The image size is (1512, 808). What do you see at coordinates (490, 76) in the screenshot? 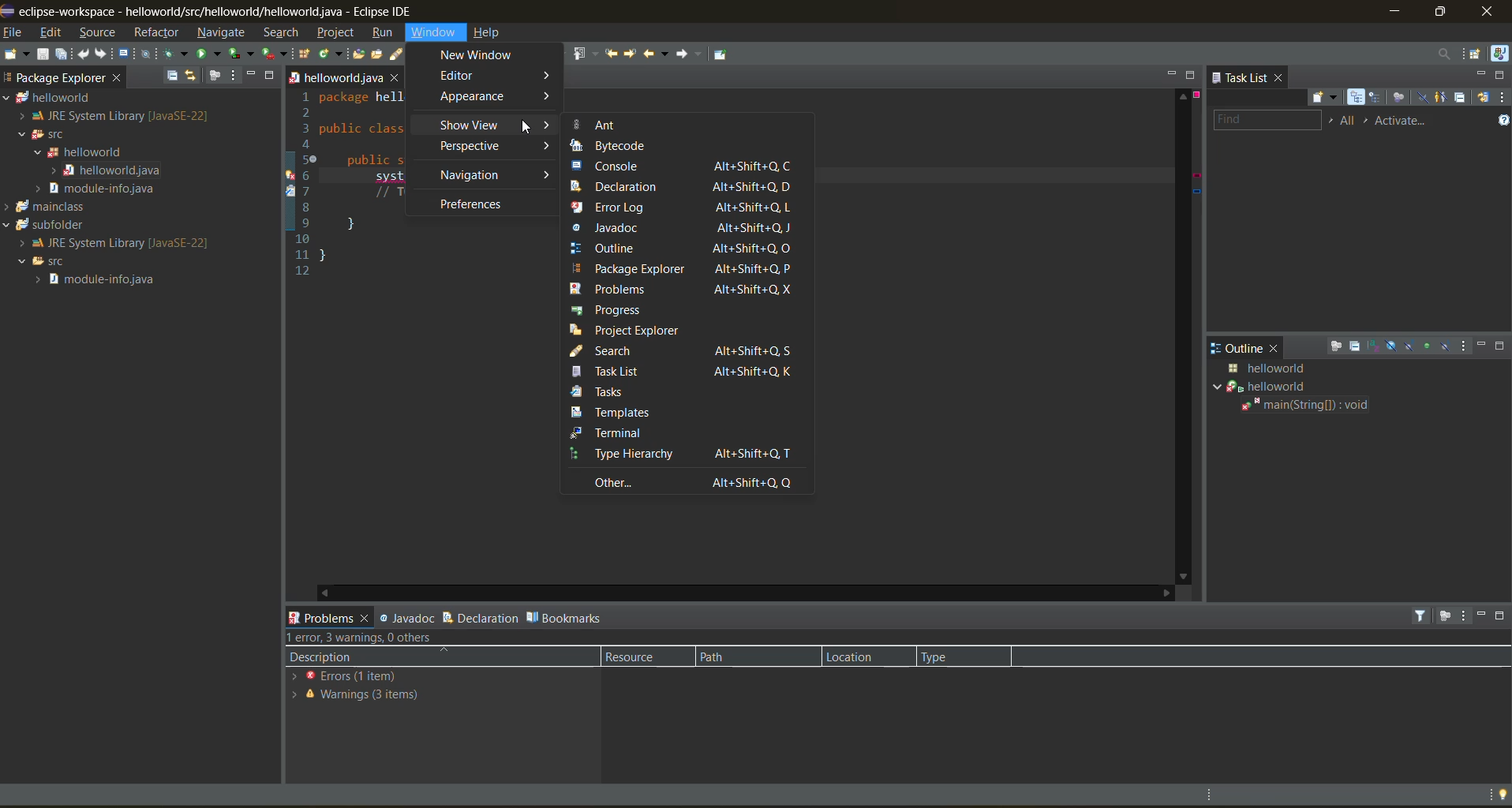
I see `editor` at bounding box center [490, 76].